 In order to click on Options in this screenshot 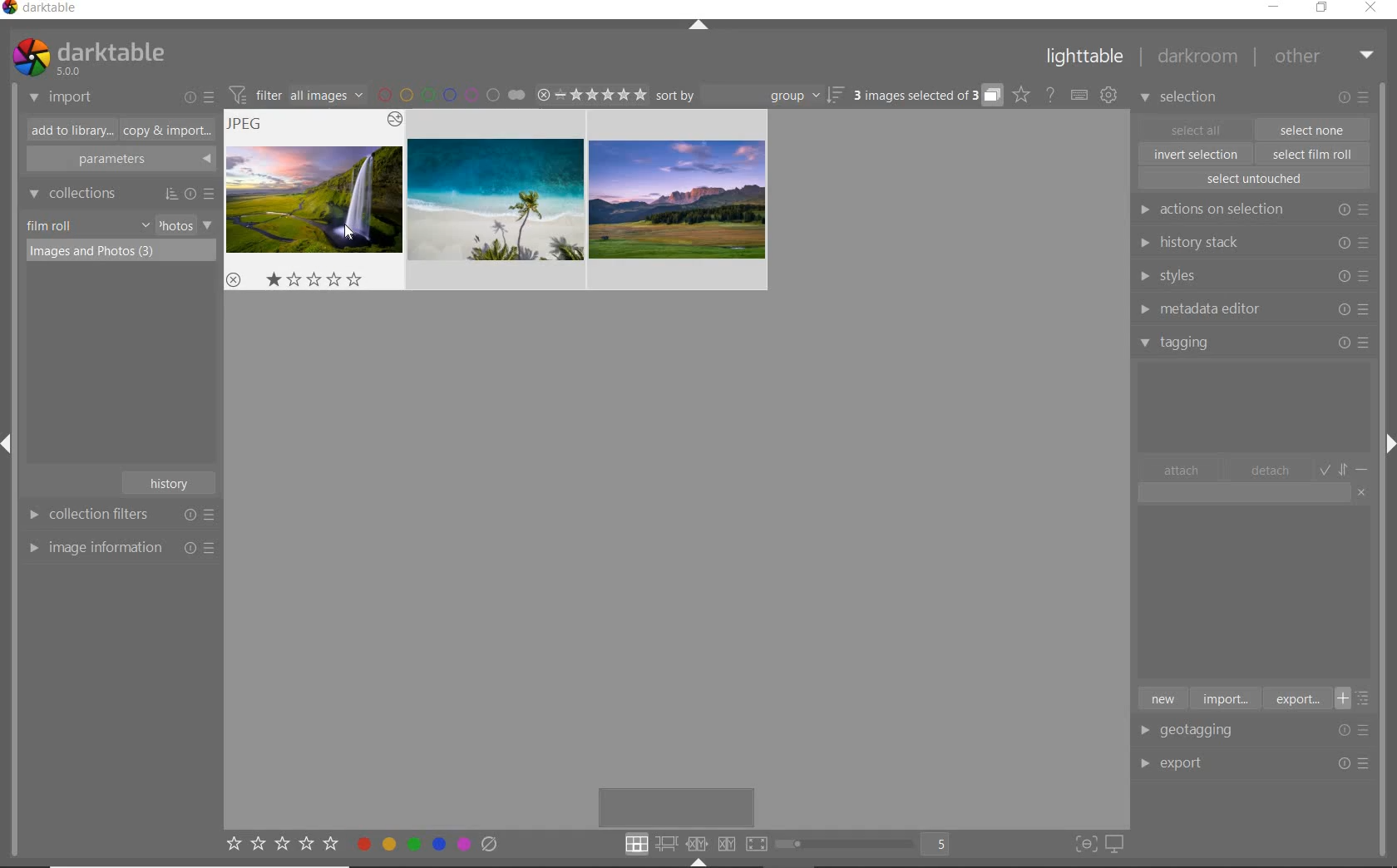, I will do `click(1359, 730)`.